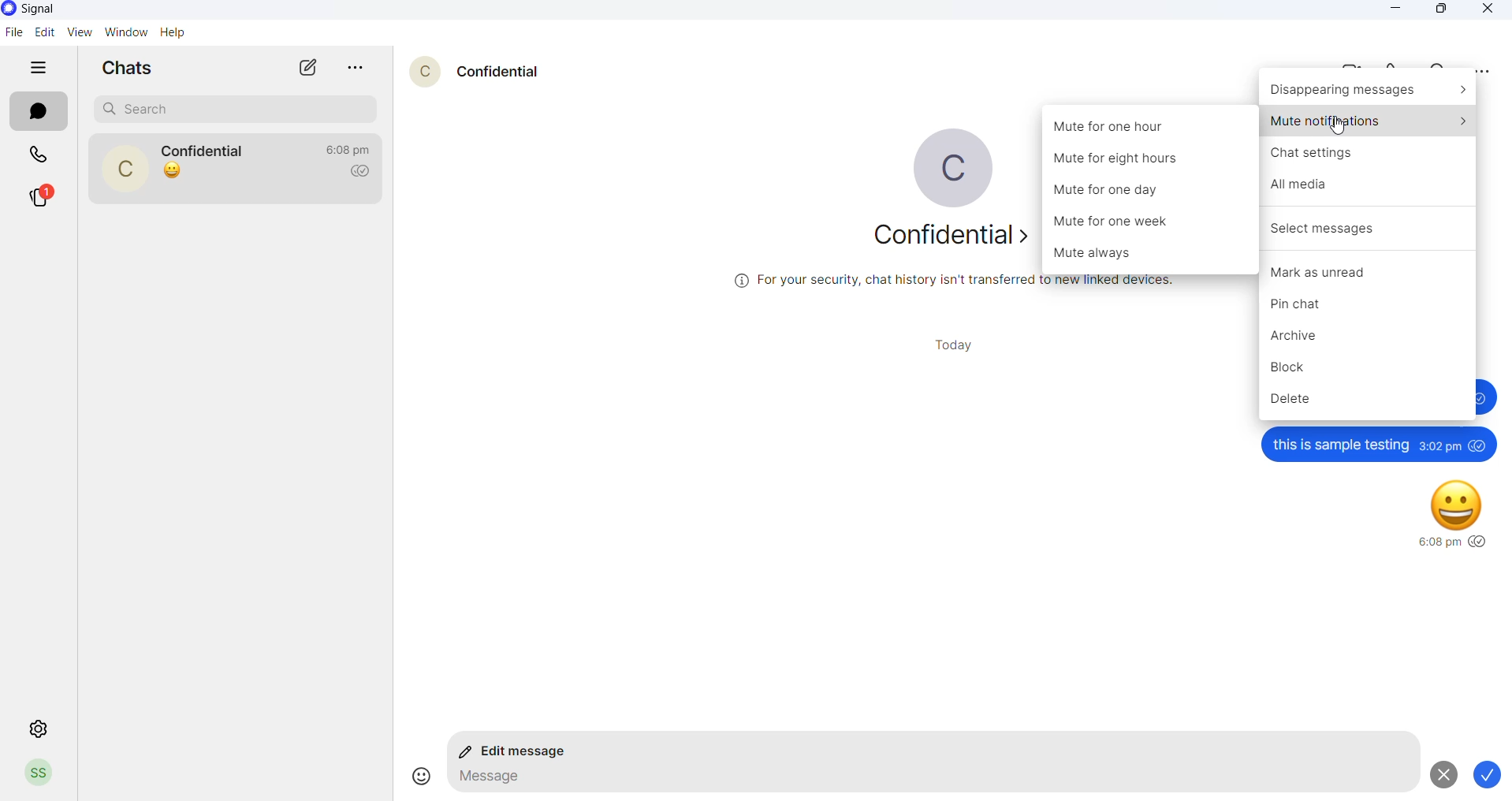  Describe the element at coordinates (208, 149) in the screenshot. I see `contact name` at that location.